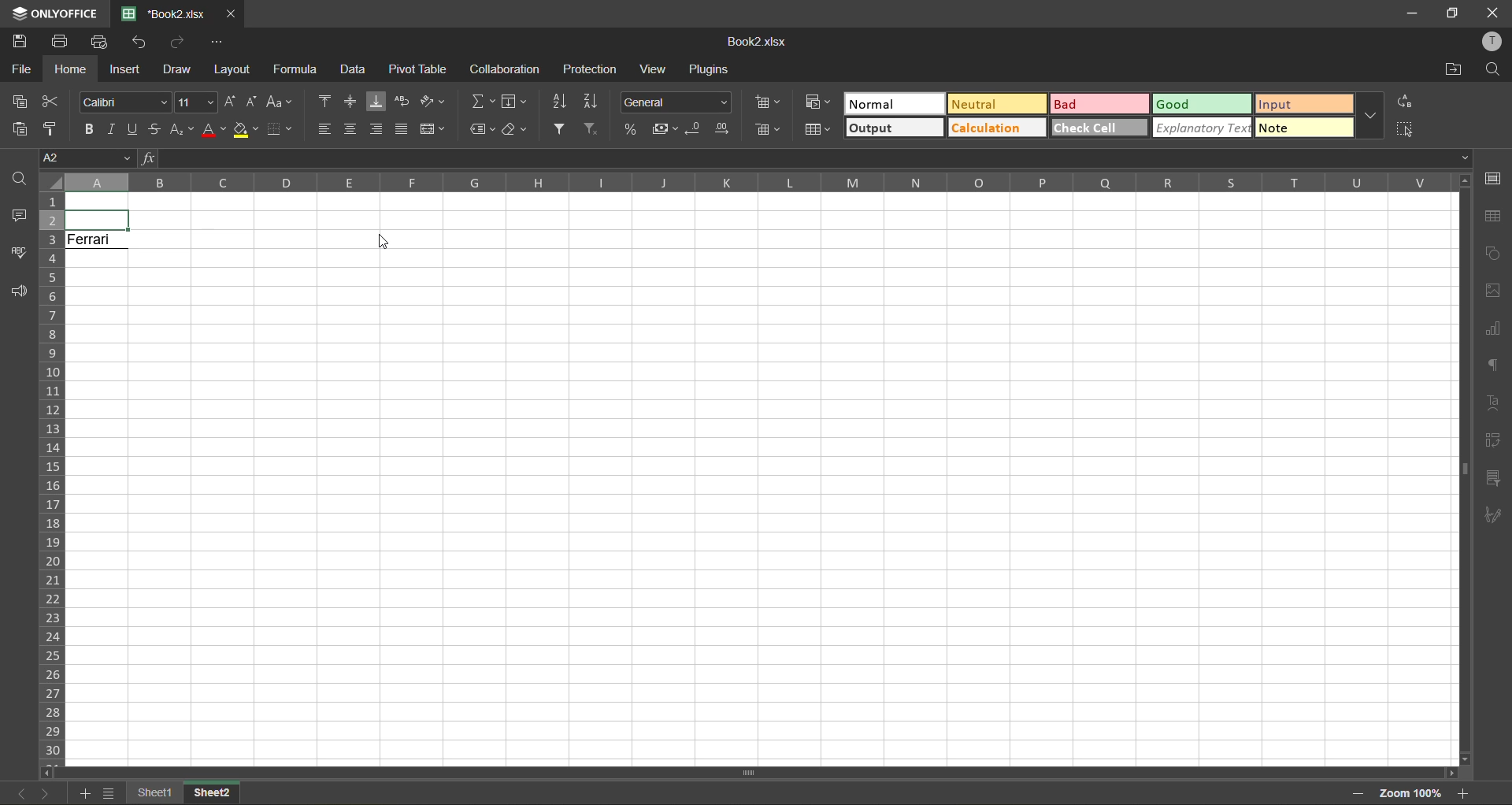 Image resolution: width=1512 pixels, height=805 pixels. Describe the element at coordinates (54, 102) in the screenshot. I see `cut` at that location.